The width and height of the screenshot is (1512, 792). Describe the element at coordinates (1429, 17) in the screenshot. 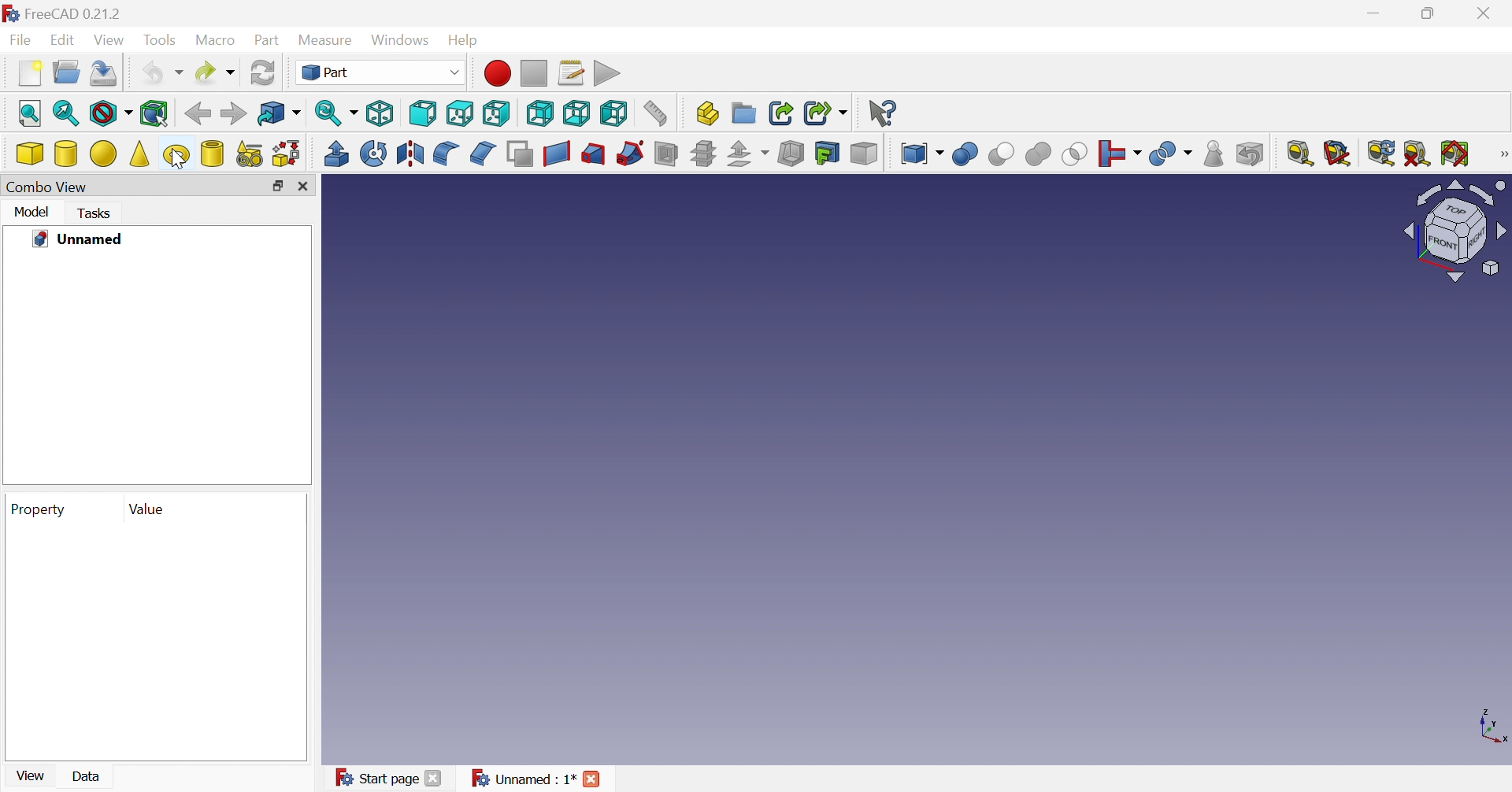

I see `Restore down` at that location.